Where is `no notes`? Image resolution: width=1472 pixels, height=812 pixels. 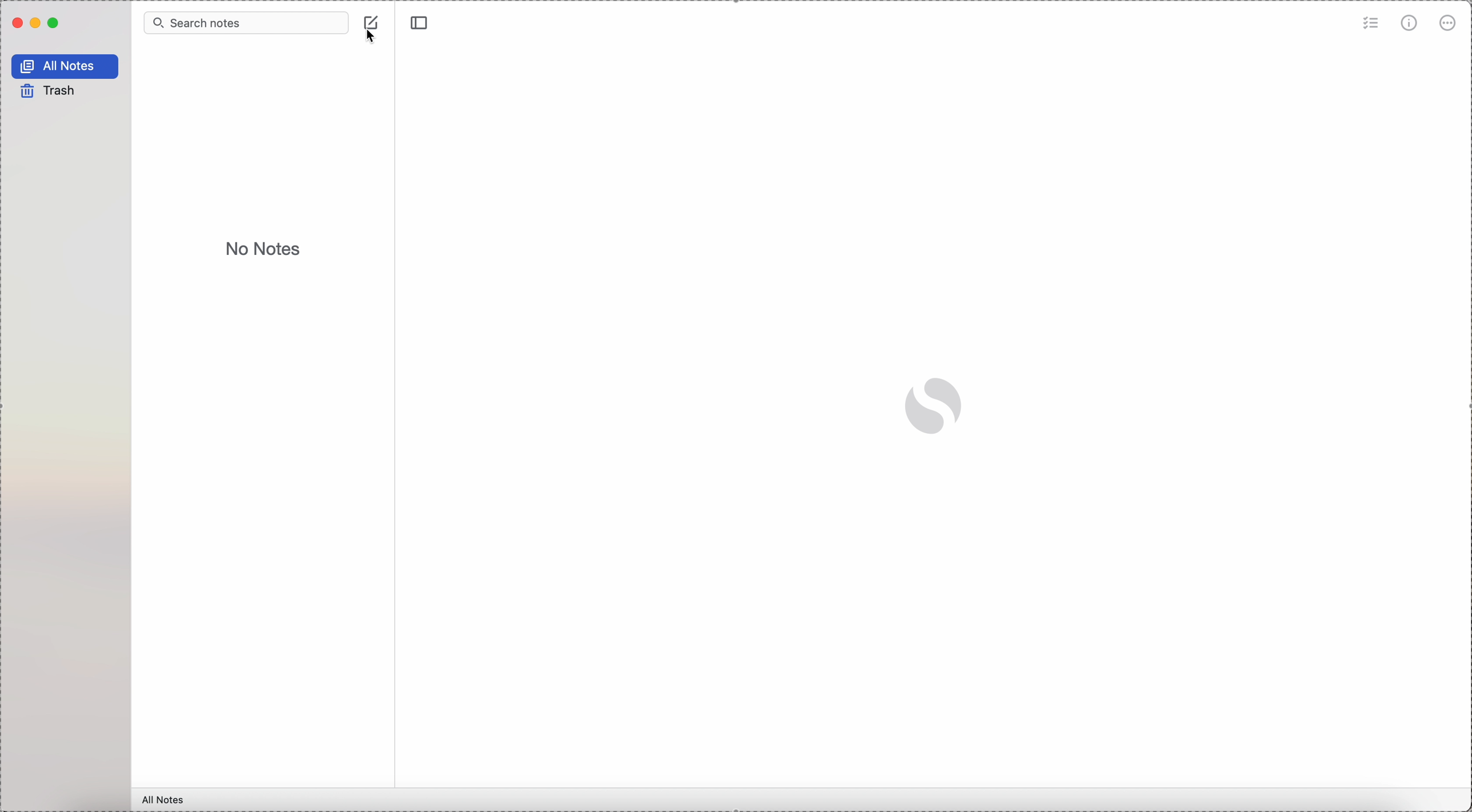
no notes is located at coordinates (261, 250).